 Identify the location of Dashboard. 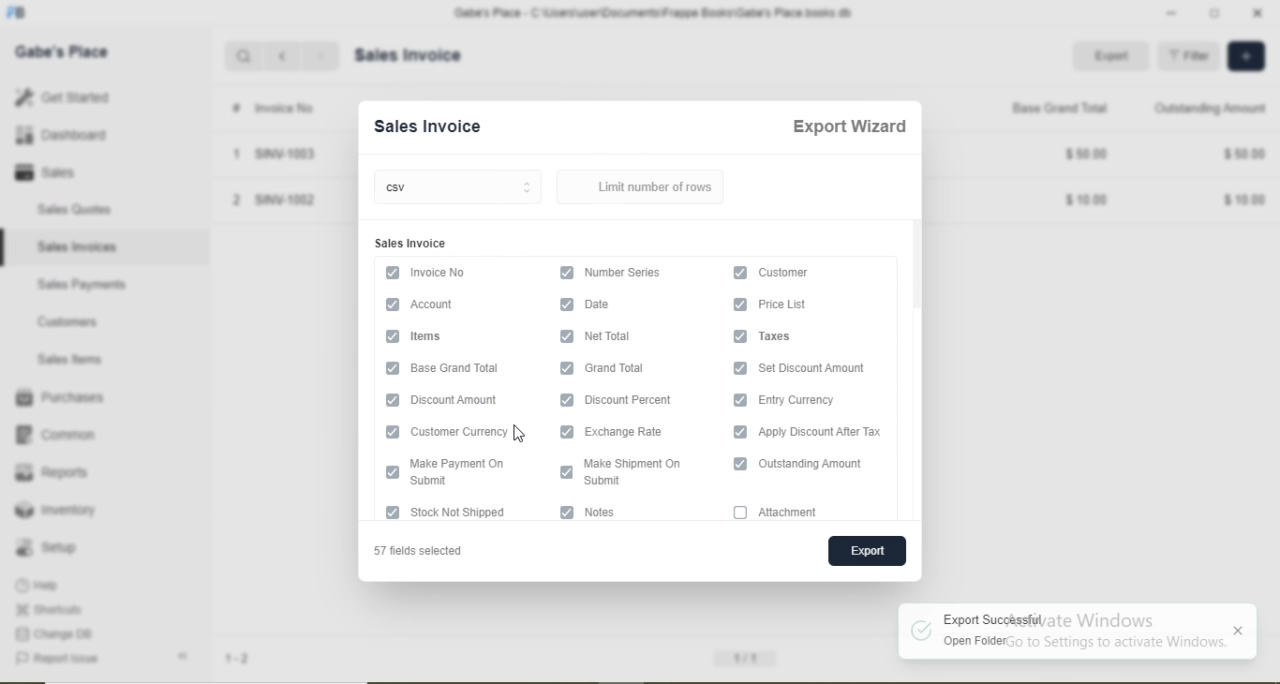
(72, 137).